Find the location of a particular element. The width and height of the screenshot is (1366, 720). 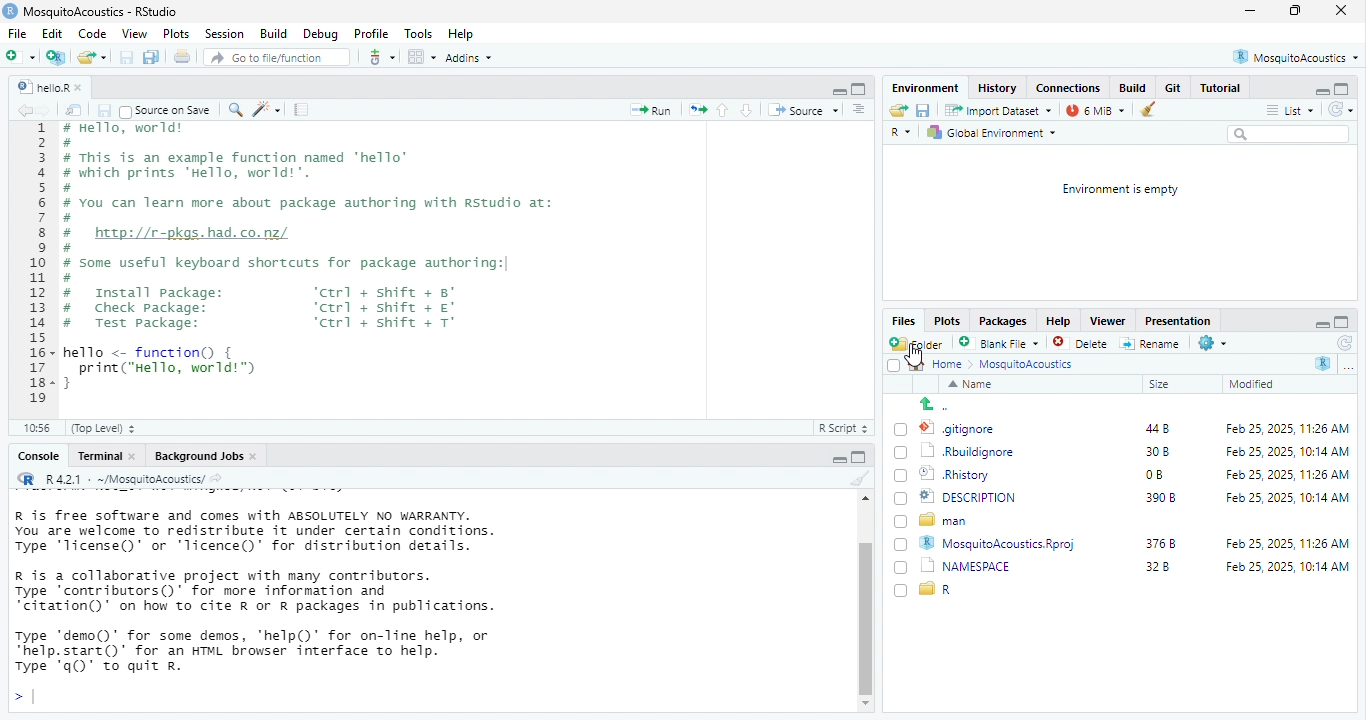

Rstudio logo is located at coordinates (12, 13).